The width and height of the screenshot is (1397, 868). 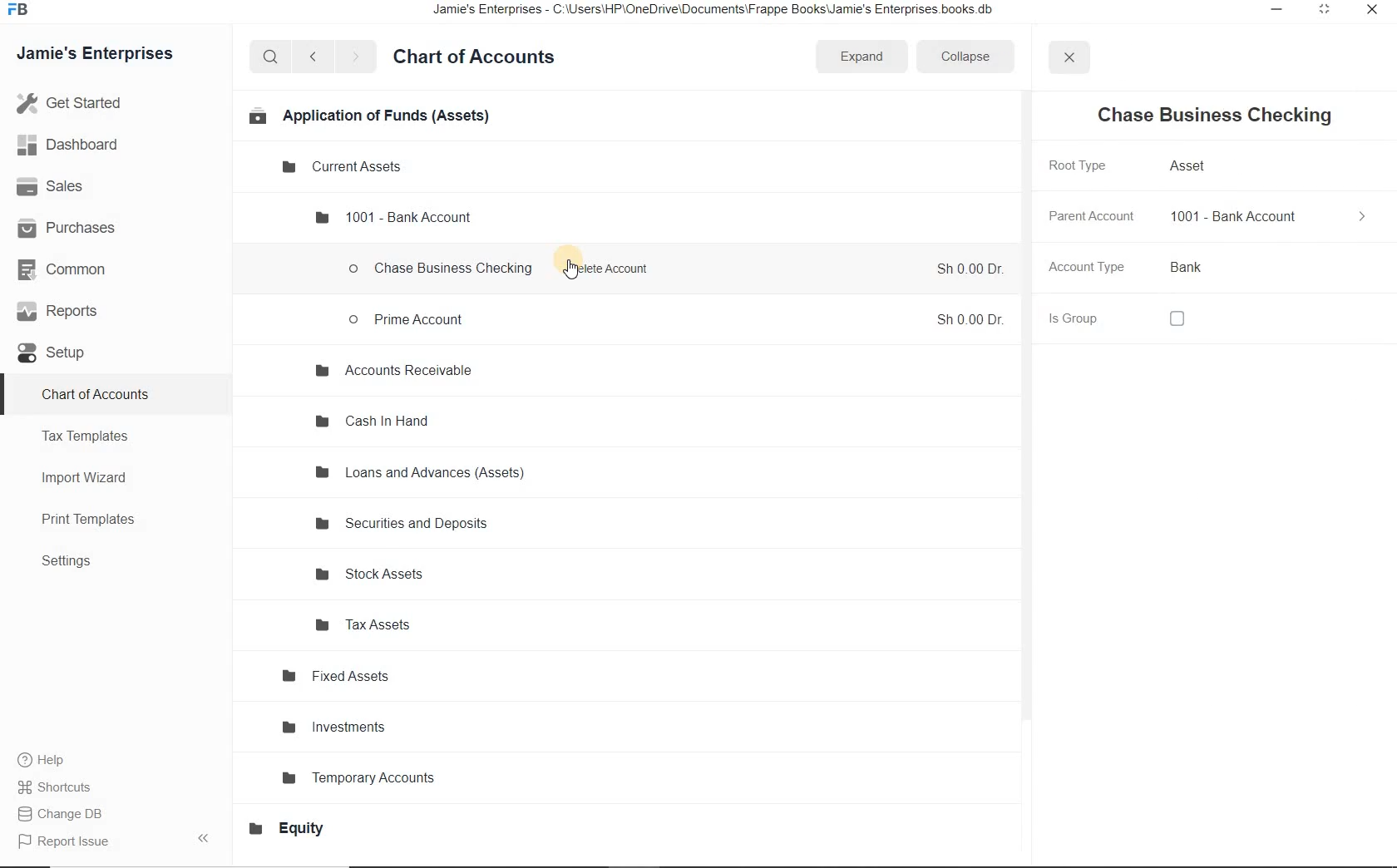 What do you see at coordinates (392, 372) in the screenshot?
I see `Accounts Receivable` at bounding box center [392, 372].